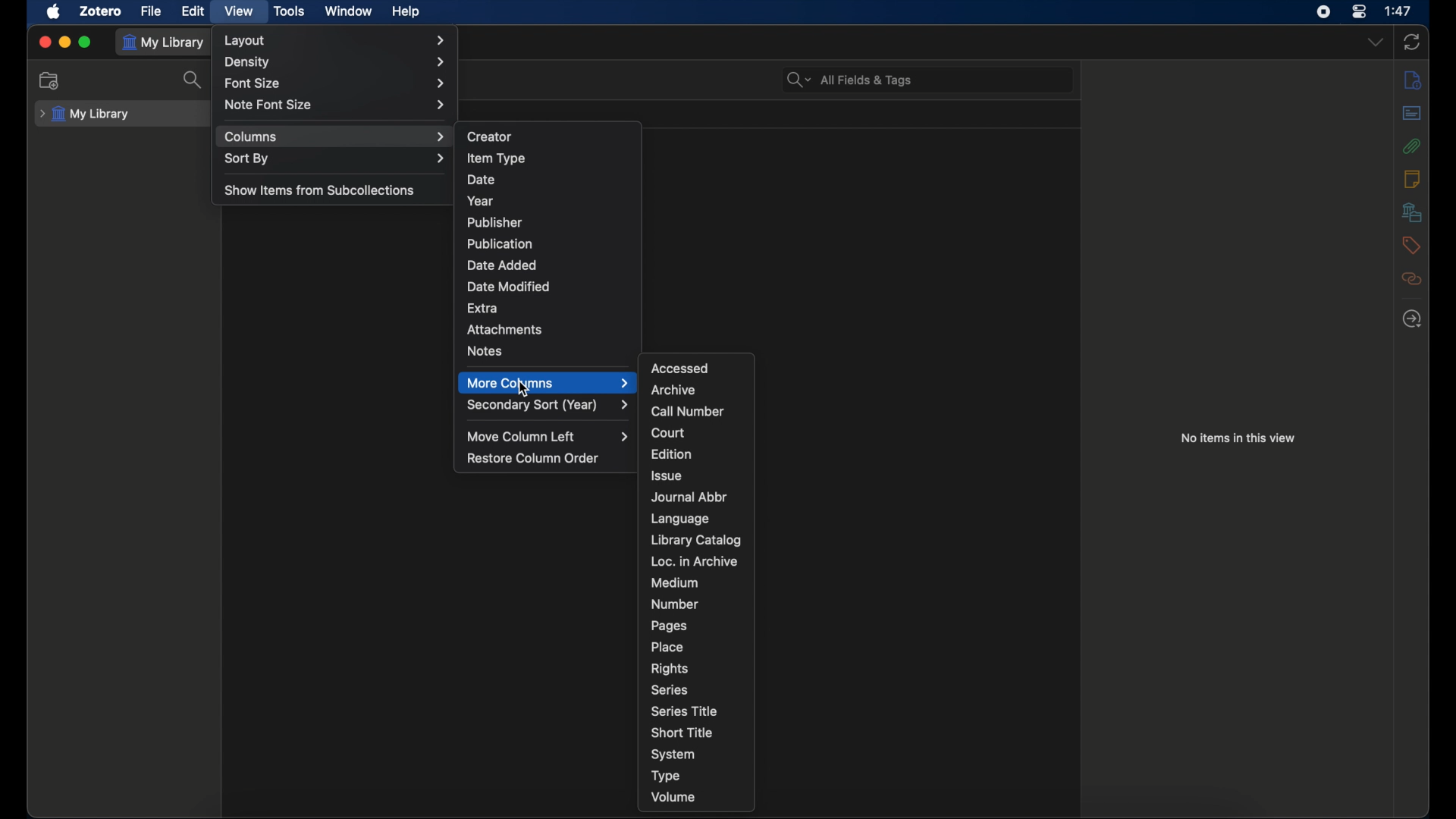 The image size is (1456, 819). What do you see at coordinates (535, 458) in the screenshot?
I see `restore column order` at bounding box center [535, 458].